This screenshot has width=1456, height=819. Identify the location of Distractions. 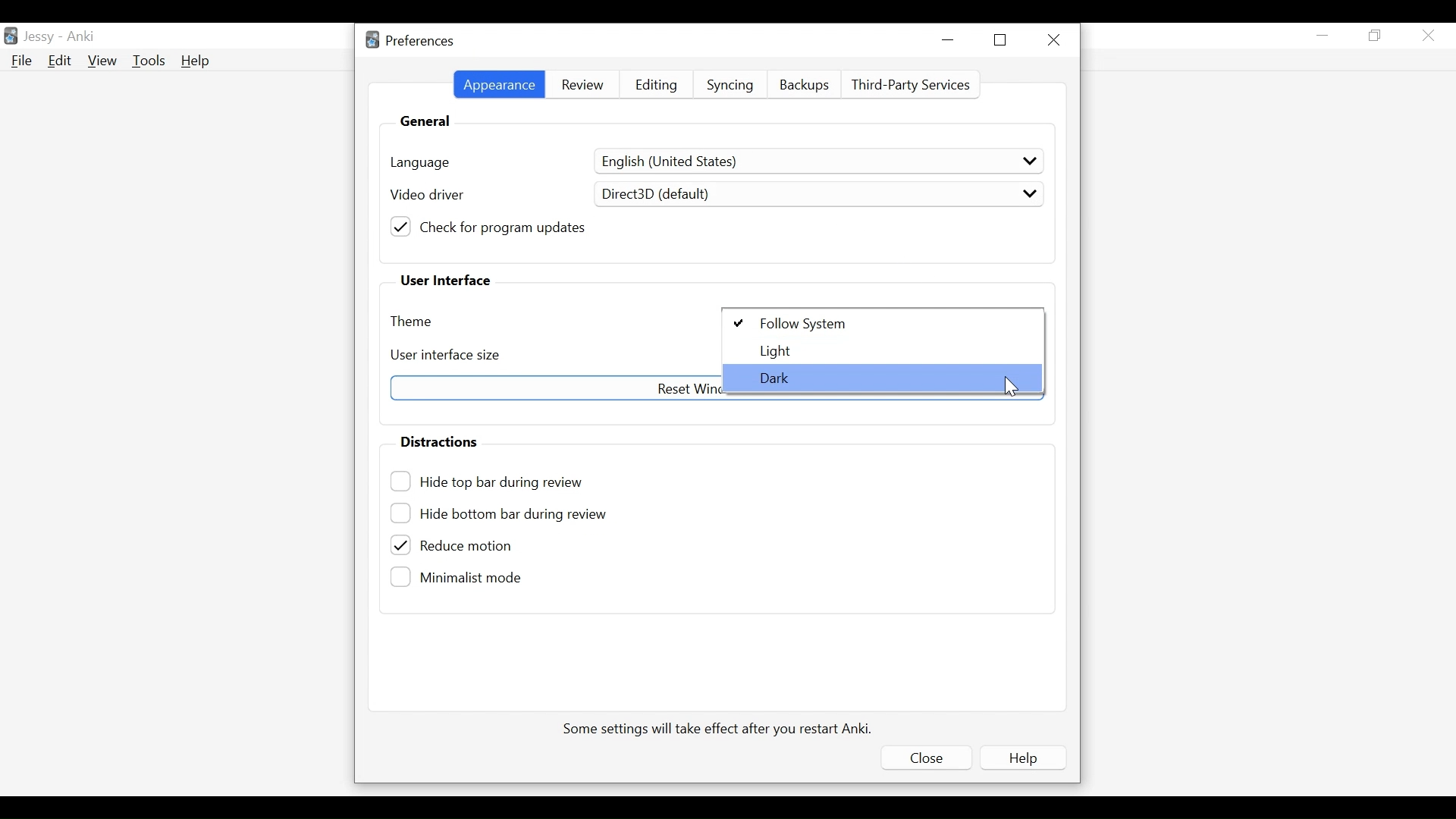
(439, 441).